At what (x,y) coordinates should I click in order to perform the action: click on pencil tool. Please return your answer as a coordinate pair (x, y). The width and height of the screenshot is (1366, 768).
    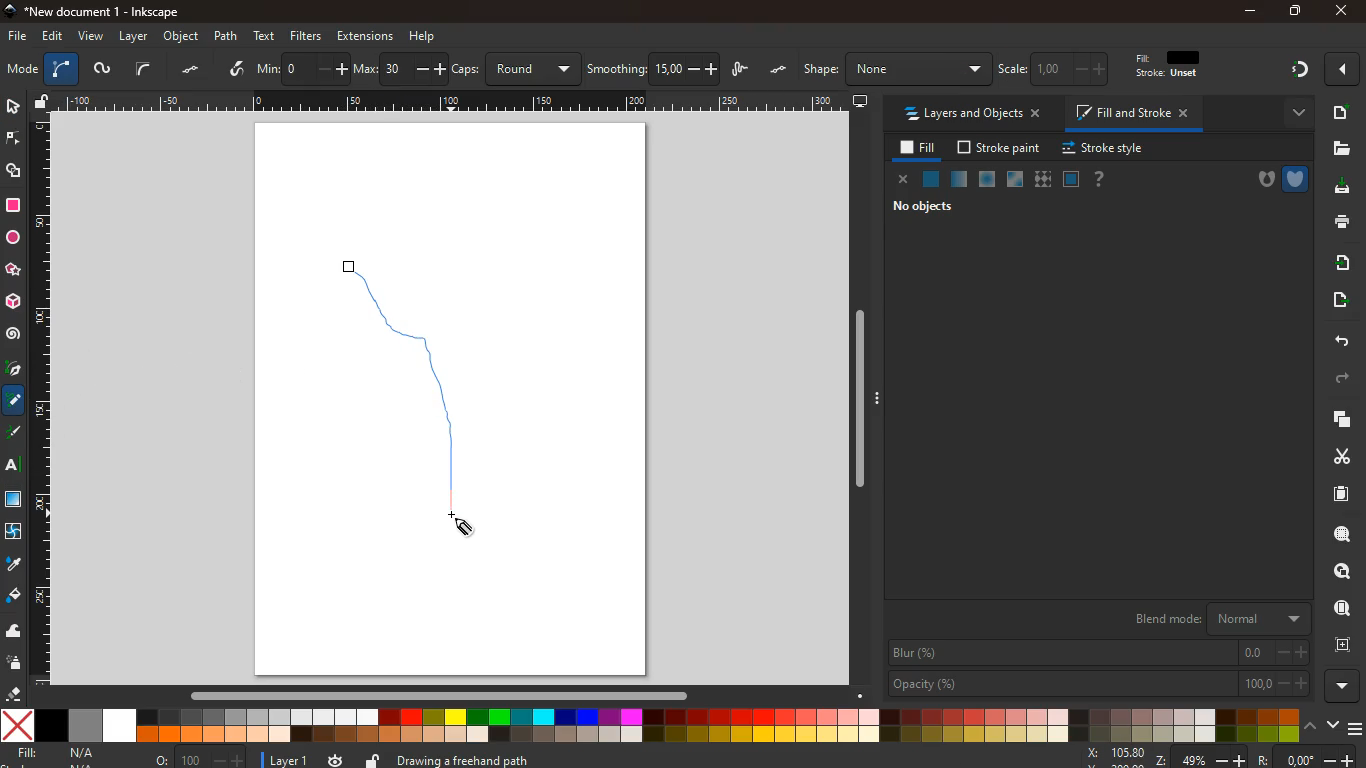
    Looking at the image, I should click on (16, 434).